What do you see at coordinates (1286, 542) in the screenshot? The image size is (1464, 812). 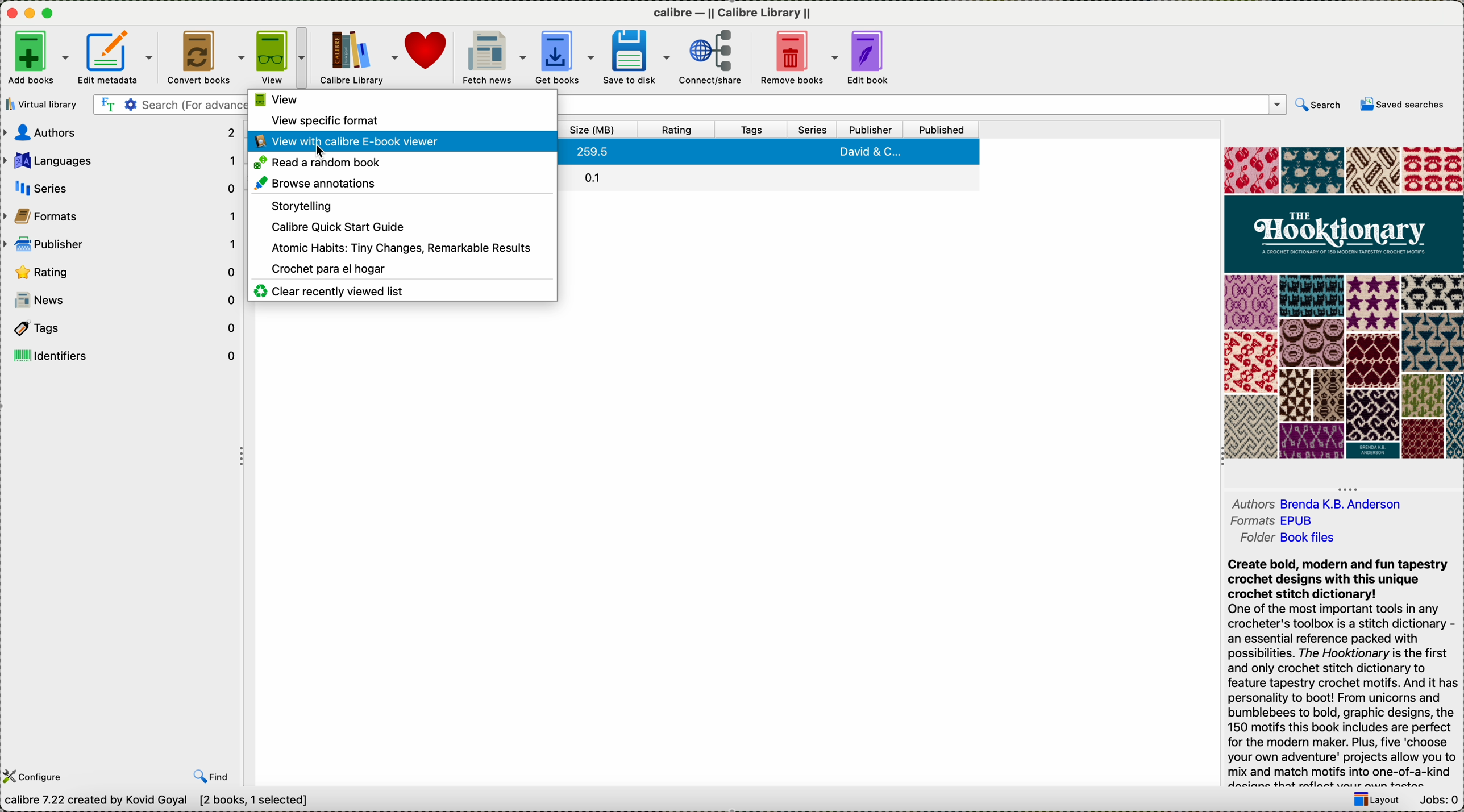 I see `folder` at bounding box center [1286, 542].